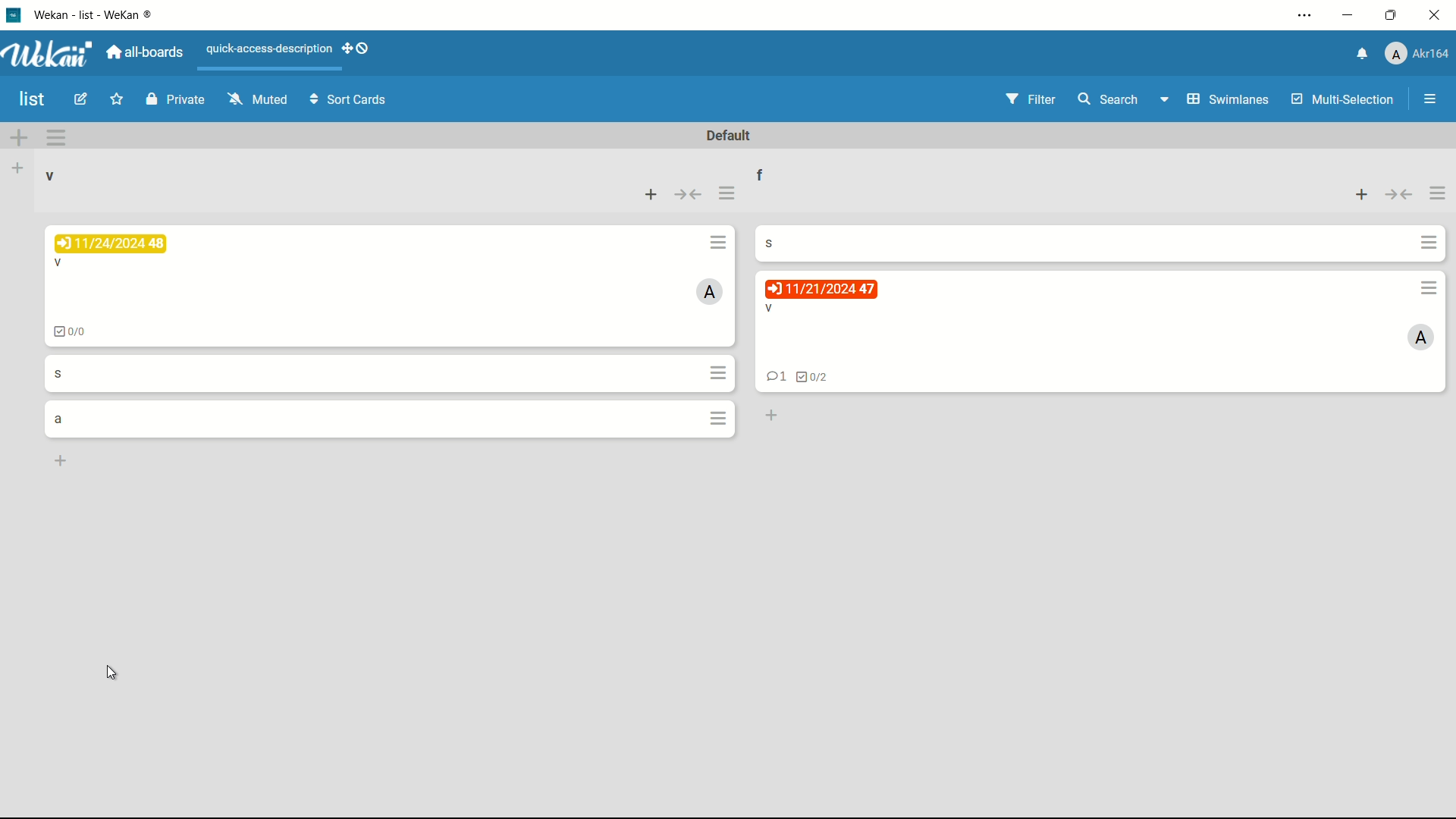 The width and height of the screenshot is (1456, 819). I want to click on filter, so click(1031, 99).